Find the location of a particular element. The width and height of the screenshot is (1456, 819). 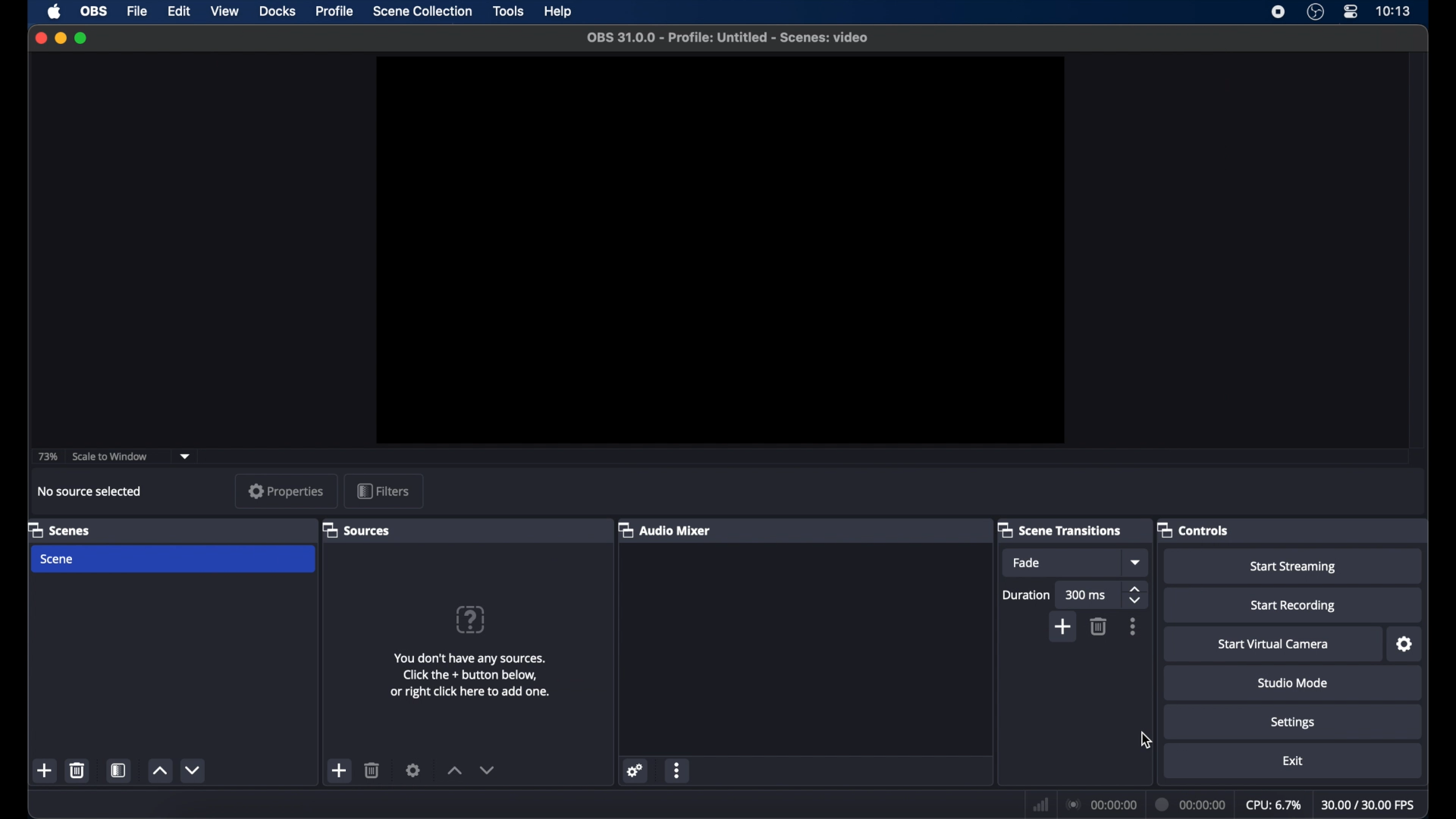

cpu is located at coordinates (1274, 805).